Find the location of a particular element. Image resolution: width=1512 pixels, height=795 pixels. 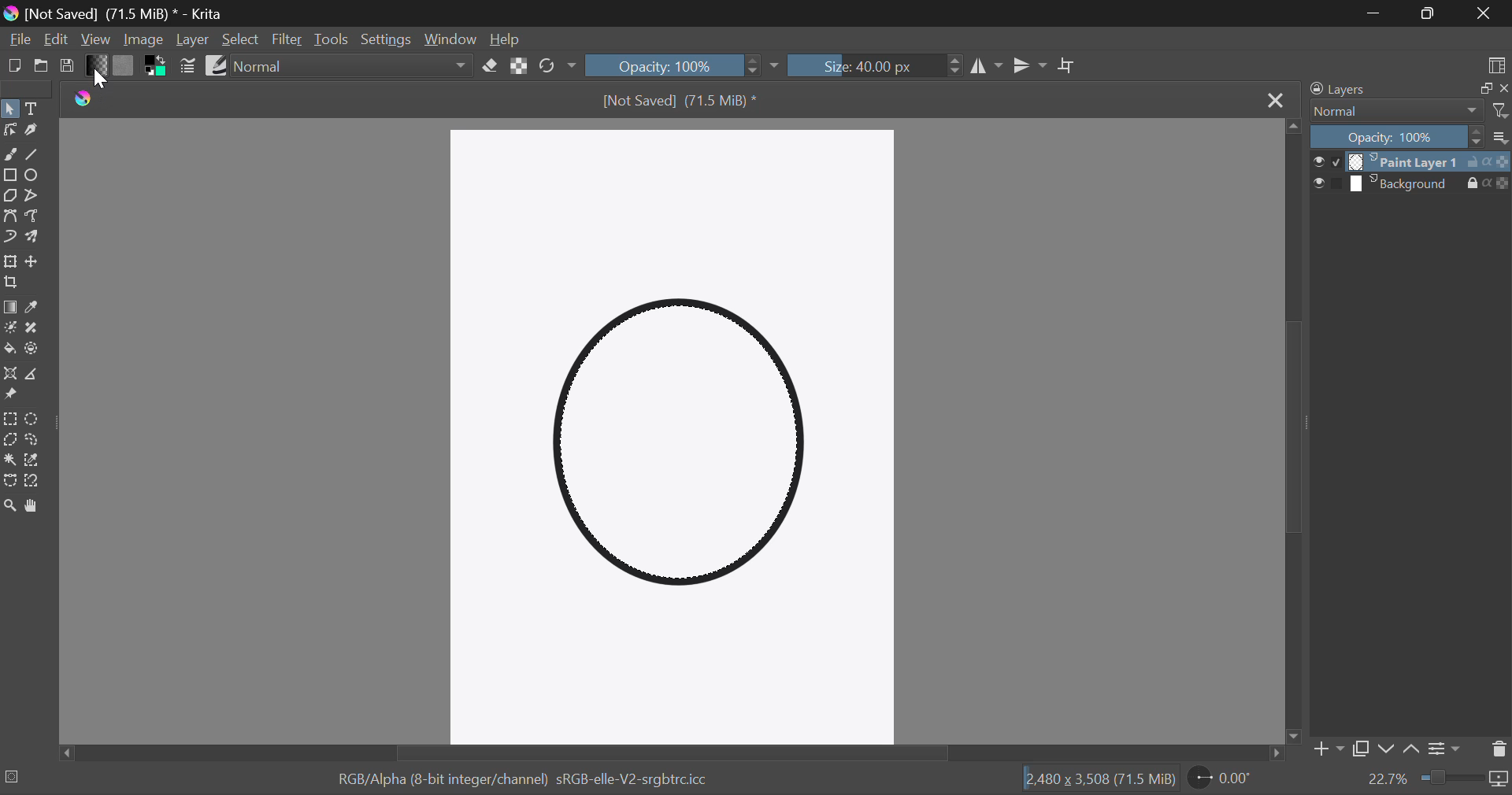

New is located at coordinates (13, 66).